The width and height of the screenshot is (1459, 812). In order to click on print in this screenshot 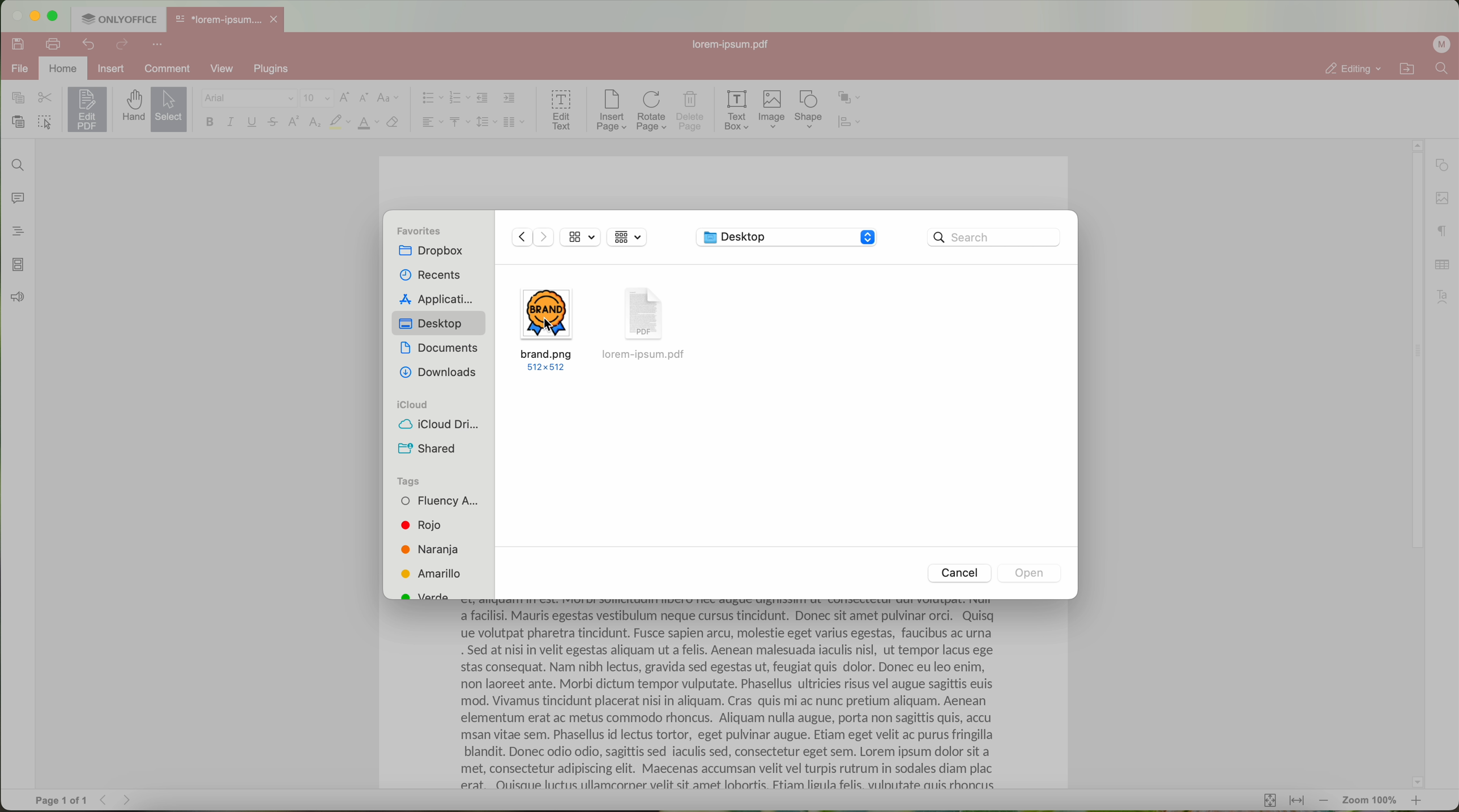, I will do `click(54, 43)`.